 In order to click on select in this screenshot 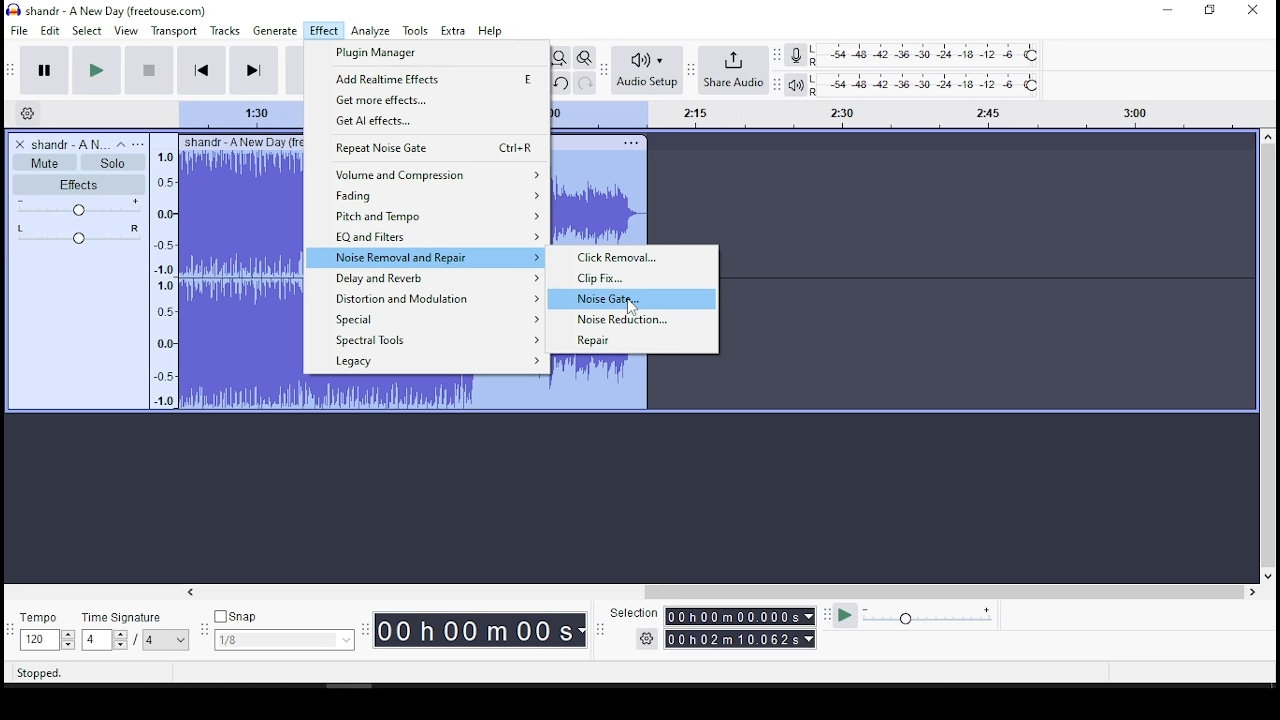, I will do `click(88, 31)`.